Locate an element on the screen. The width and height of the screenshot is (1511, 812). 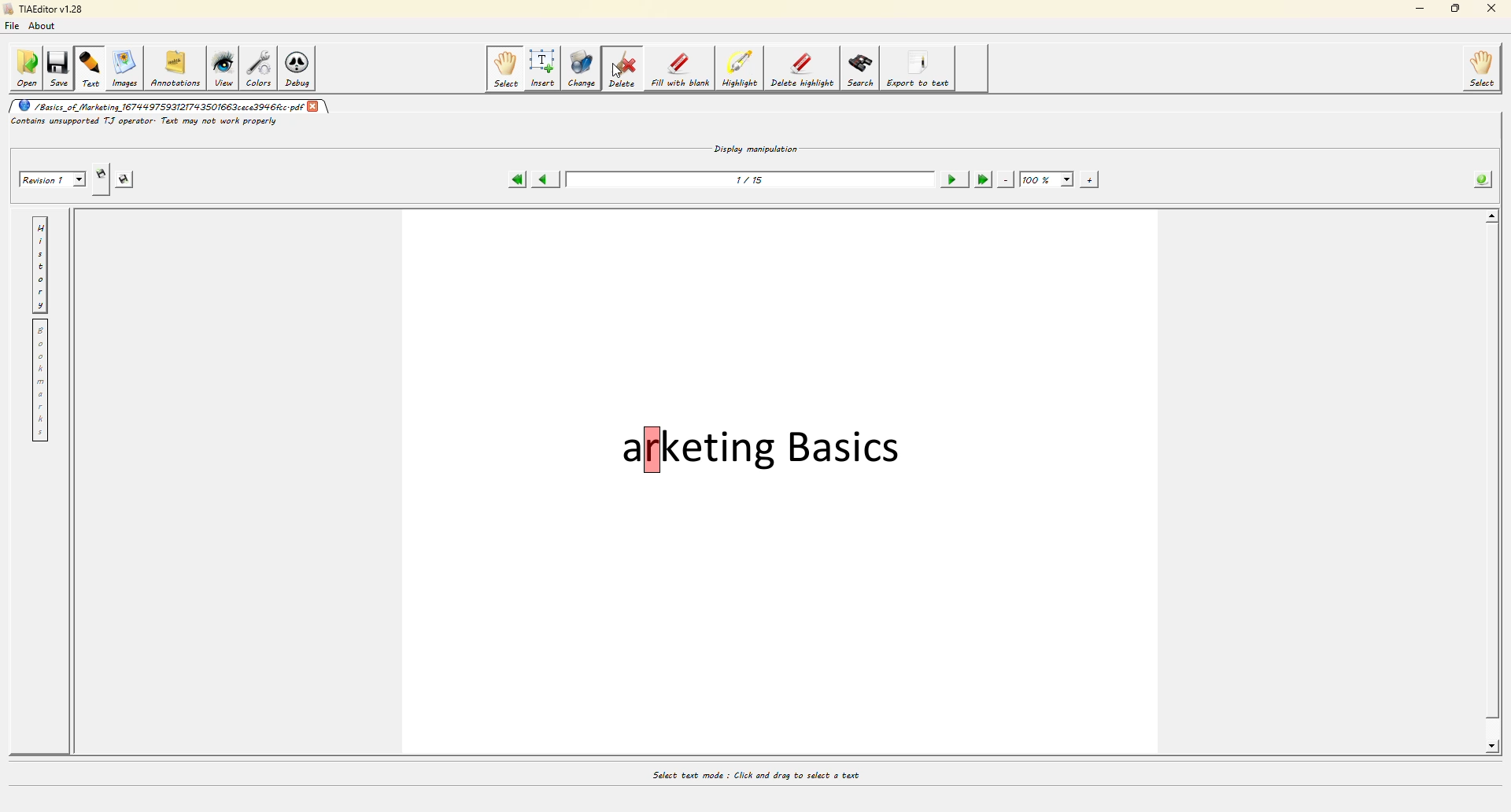
save the revision is located at coordinates (131, 177).